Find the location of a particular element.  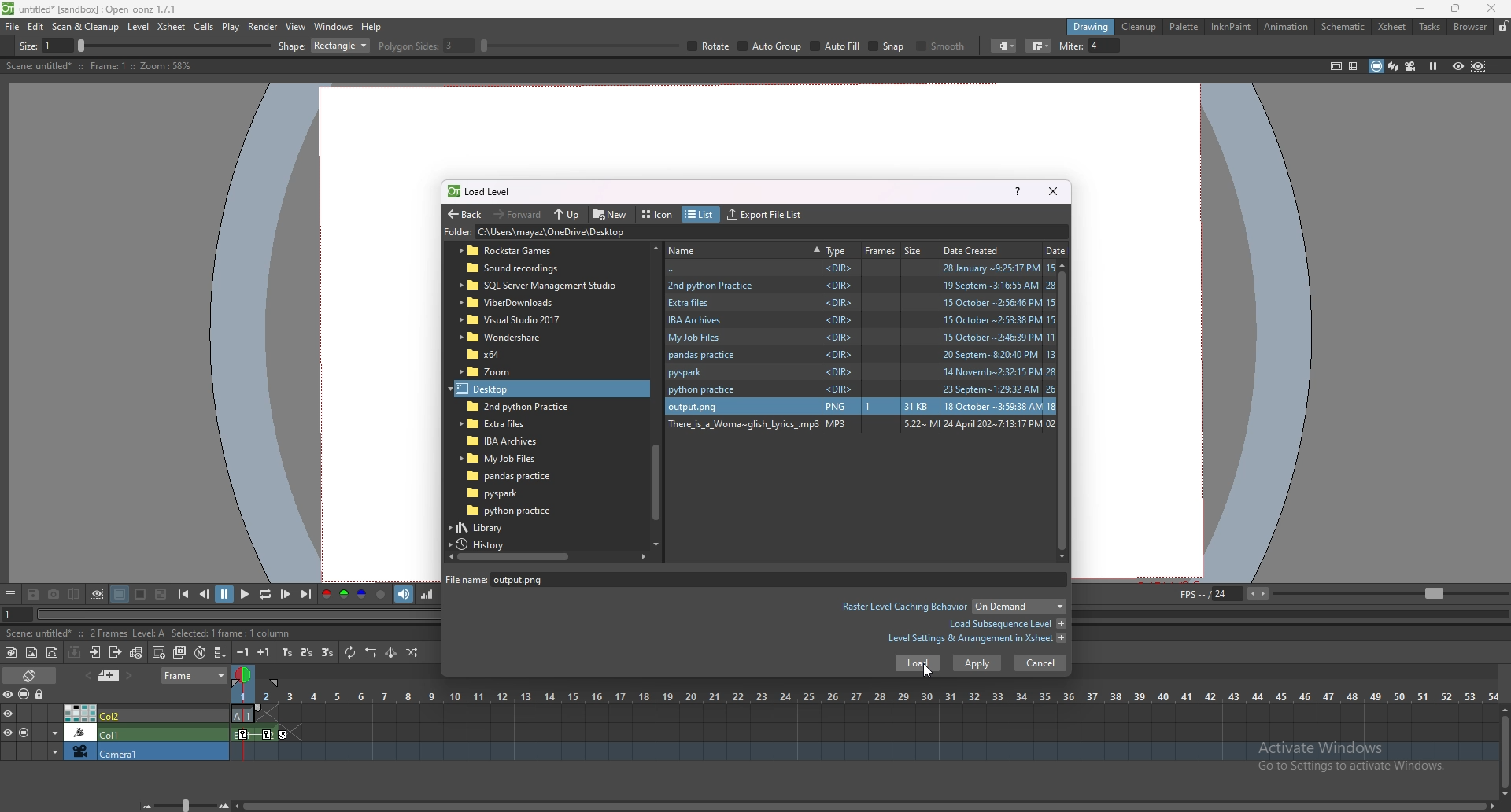

snapshot is located at coordinates (54, 595).